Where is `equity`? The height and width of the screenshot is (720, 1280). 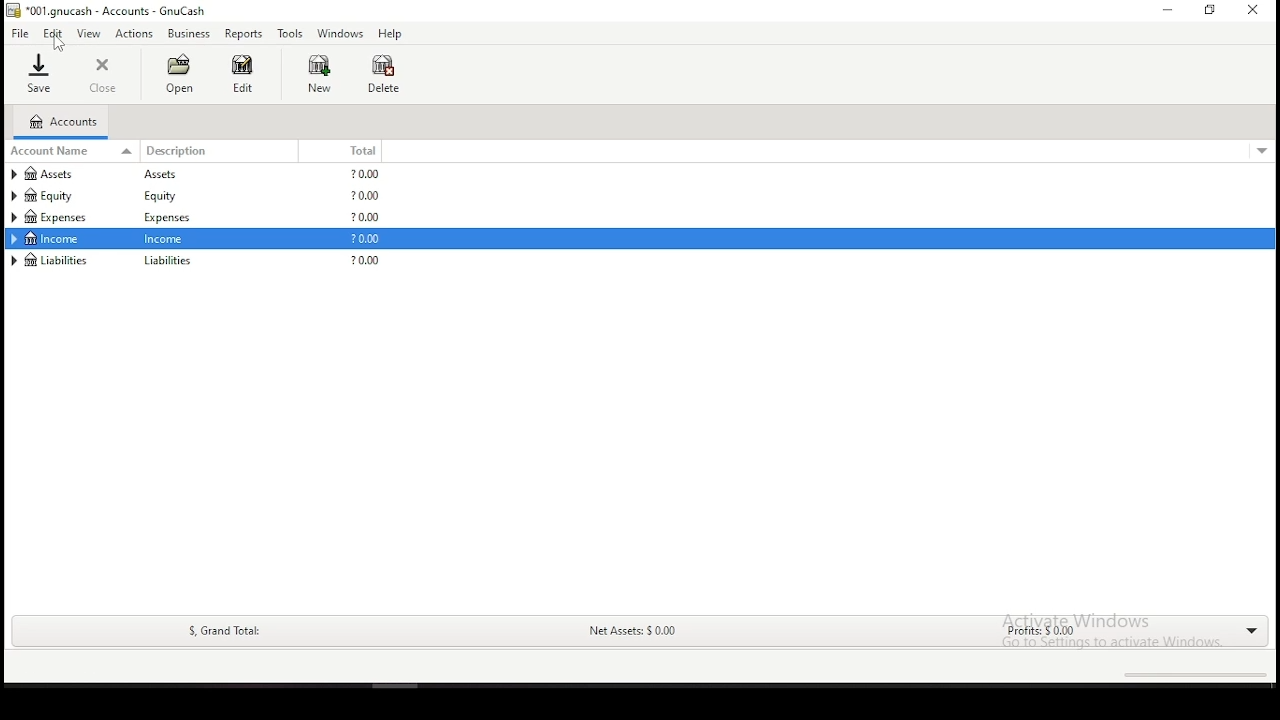 equity is located at coordinates (49, 195).